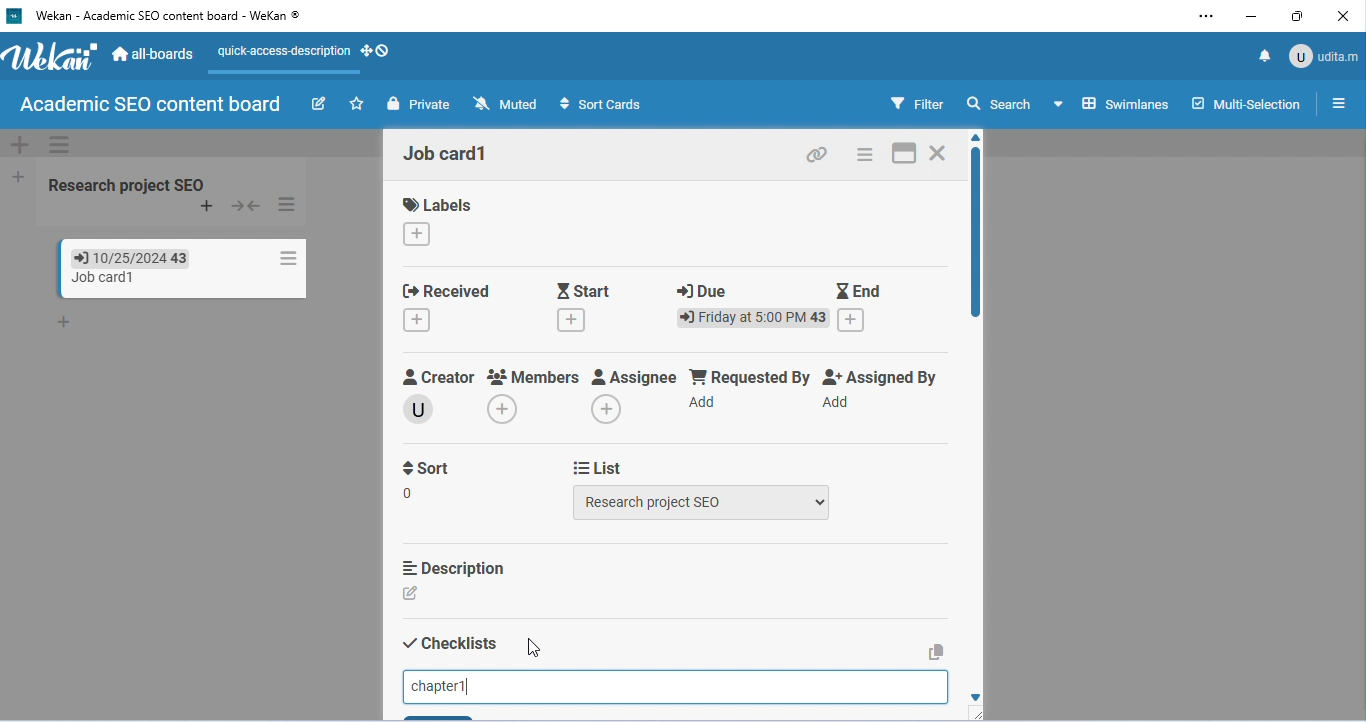  What do you see at coordinates (429, 482) in the screenshot?
I see `sort` at bounding box center [429, 482].